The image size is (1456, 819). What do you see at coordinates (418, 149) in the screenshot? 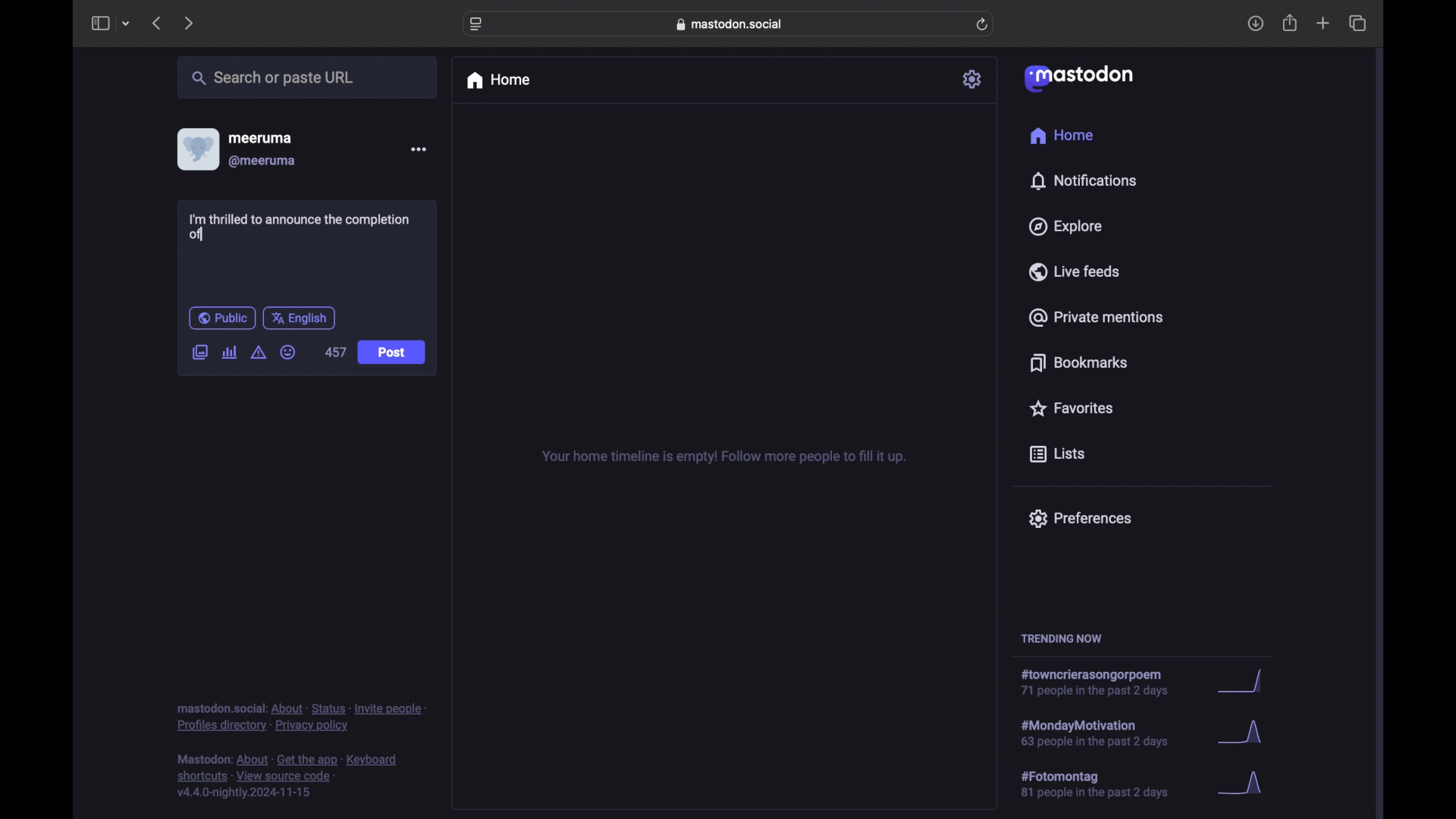
I see `more options` at bounding box center [418, 149].